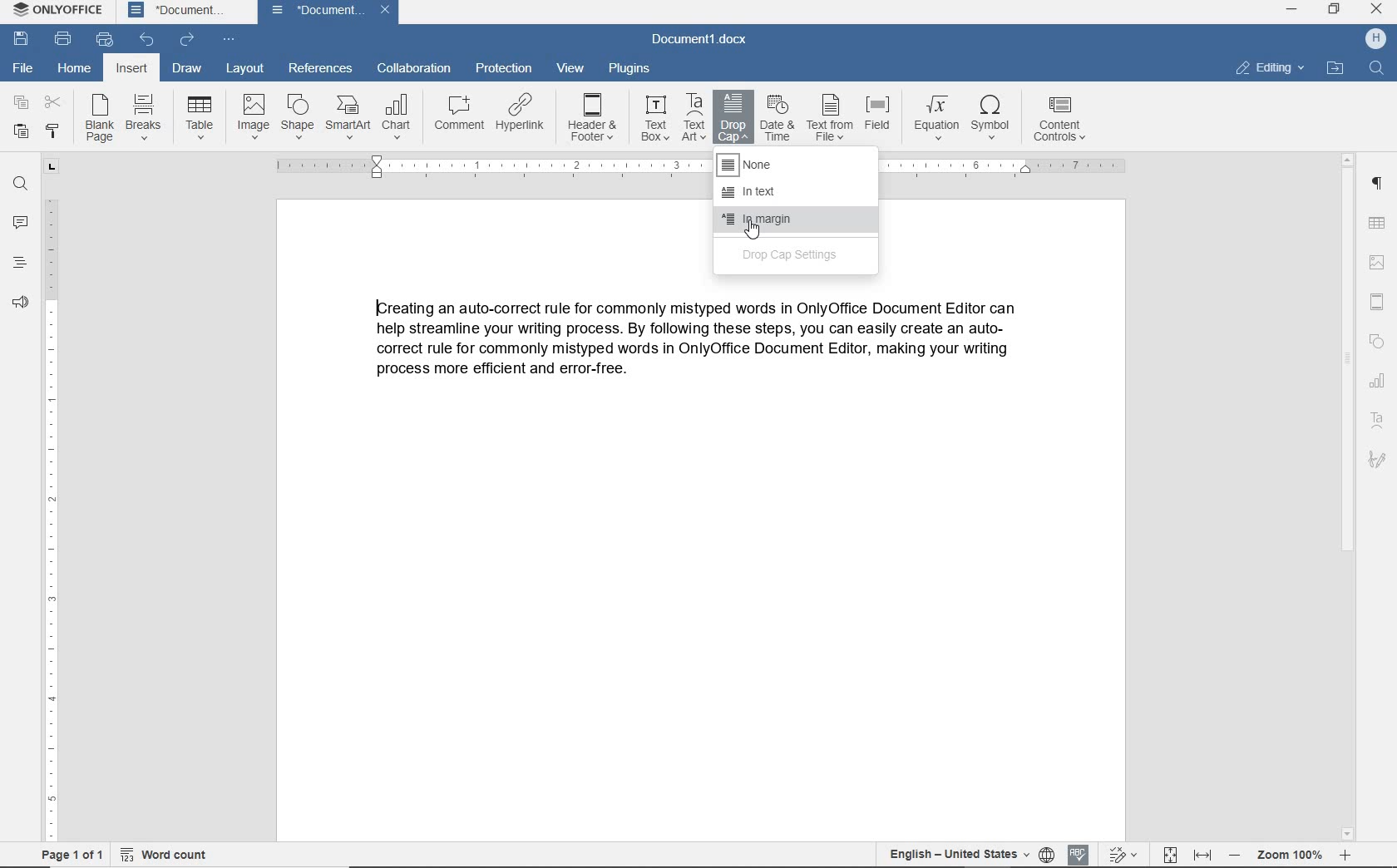 The image size is (1397, 868). I want to click on insert, so click(133, 67).